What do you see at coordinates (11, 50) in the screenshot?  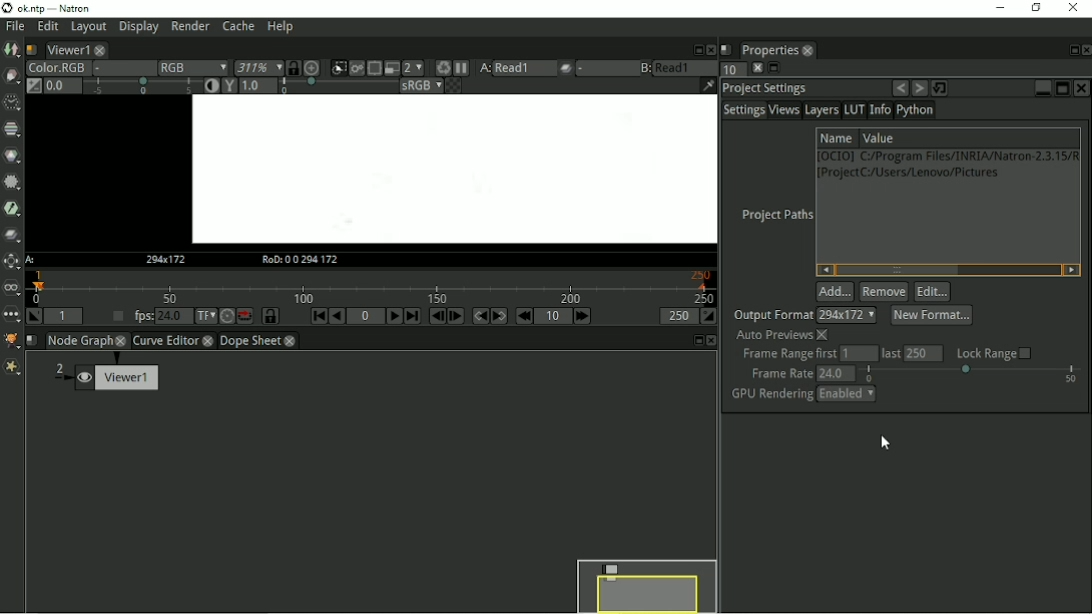 I see `Image` at bounding box center [11, 50].